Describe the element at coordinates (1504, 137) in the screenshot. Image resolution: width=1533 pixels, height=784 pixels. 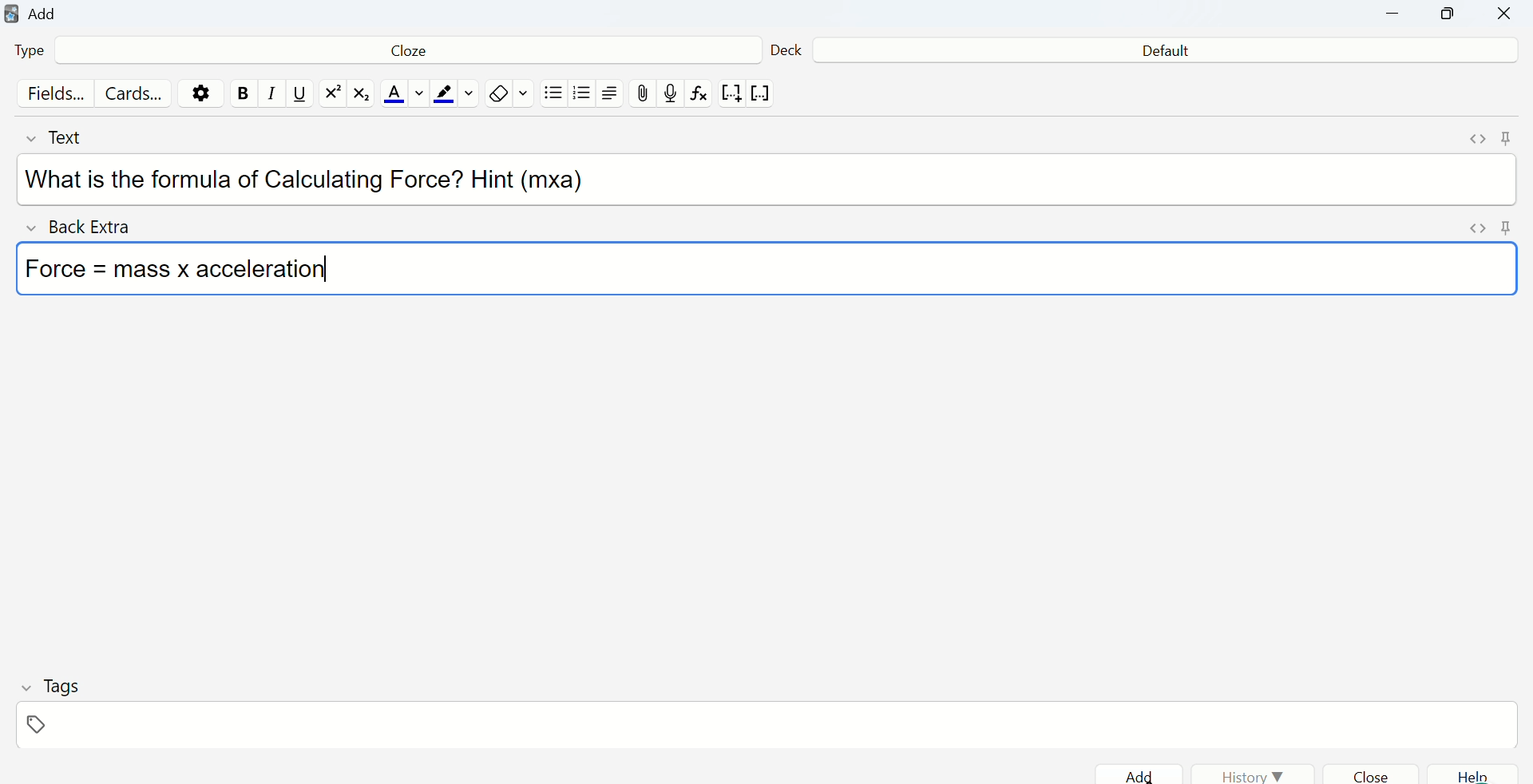
I see `Pin` at that location.